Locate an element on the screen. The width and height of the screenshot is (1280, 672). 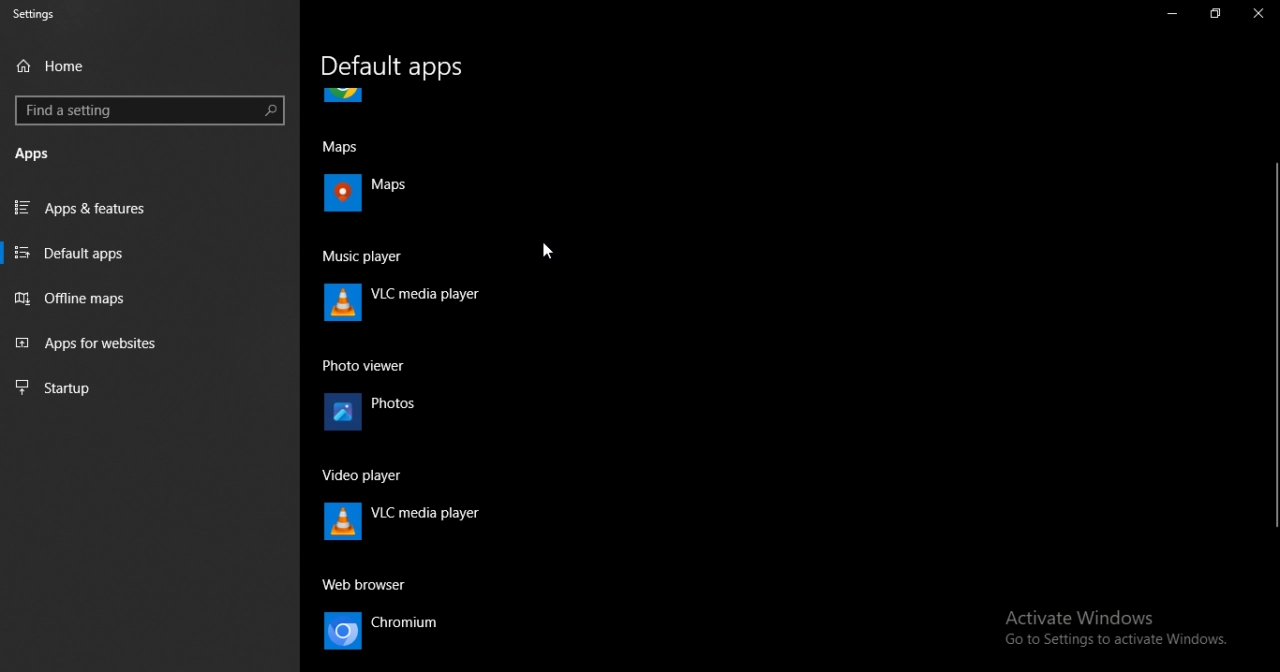
find a settings is located at coordinates (155, 111).